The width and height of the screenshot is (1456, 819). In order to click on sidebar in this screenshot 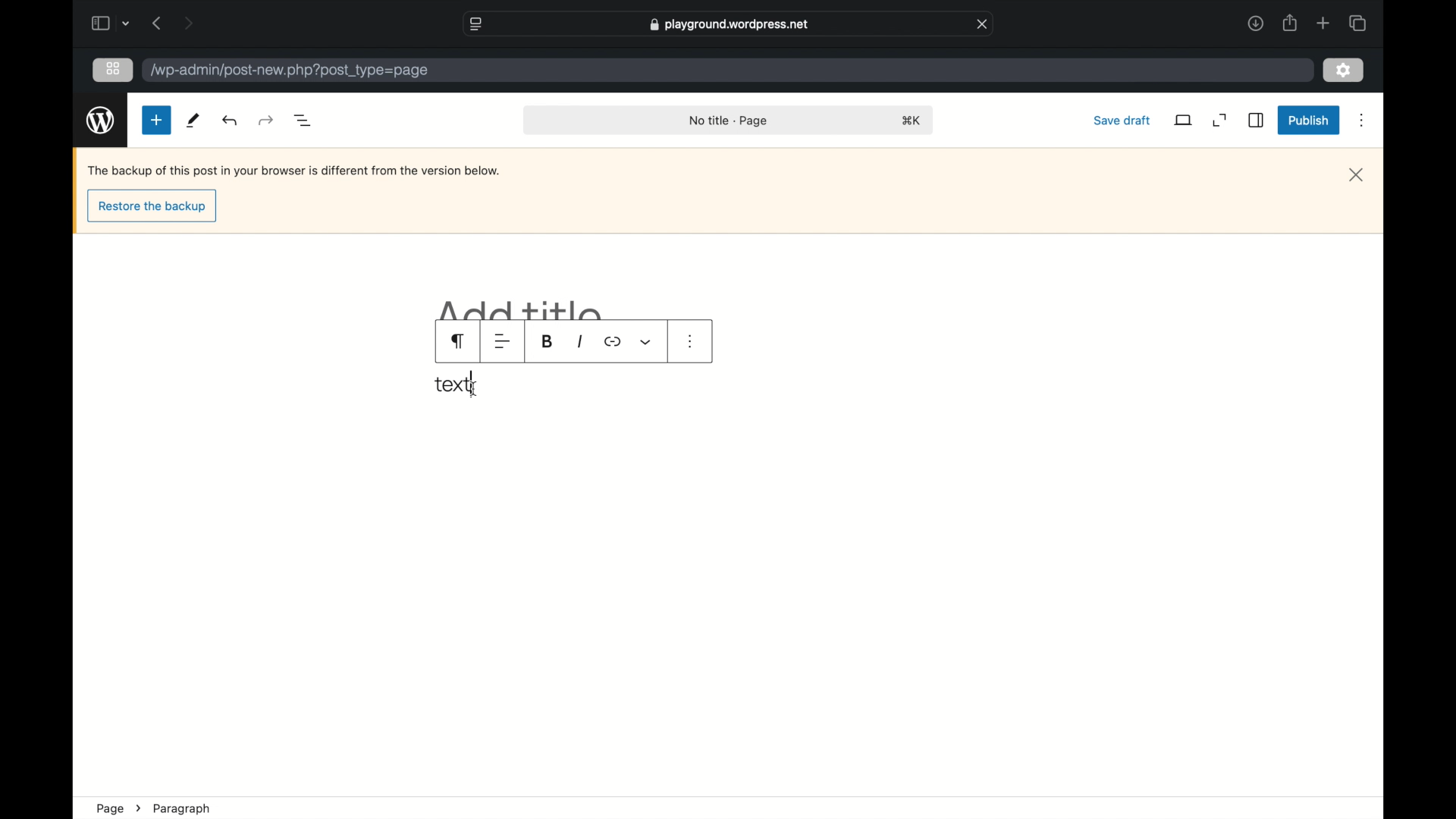, I will do `click(99, 23)`.